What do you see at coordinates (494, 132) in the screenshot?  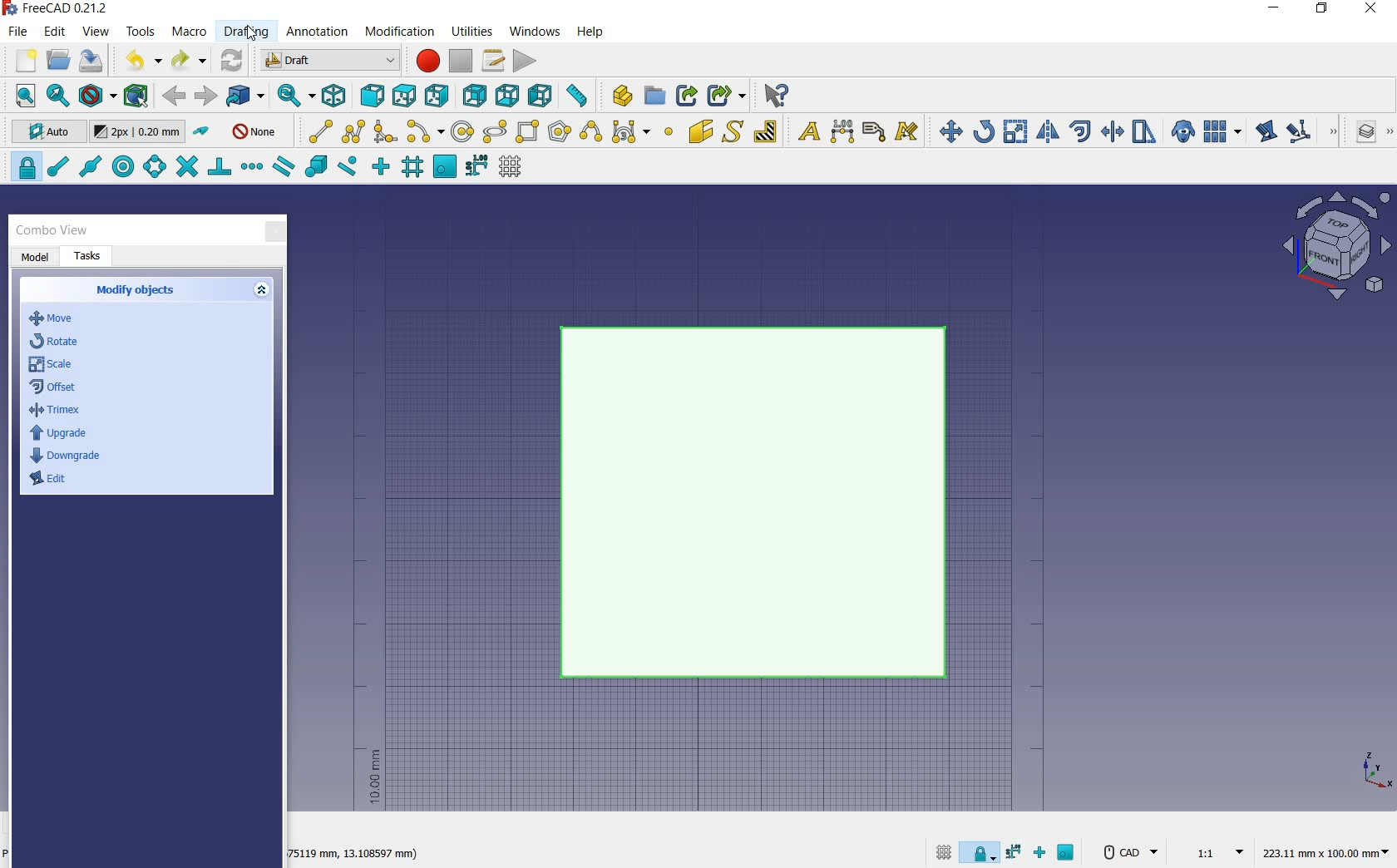 I see `ellipse` at bounding box center [494, 132].